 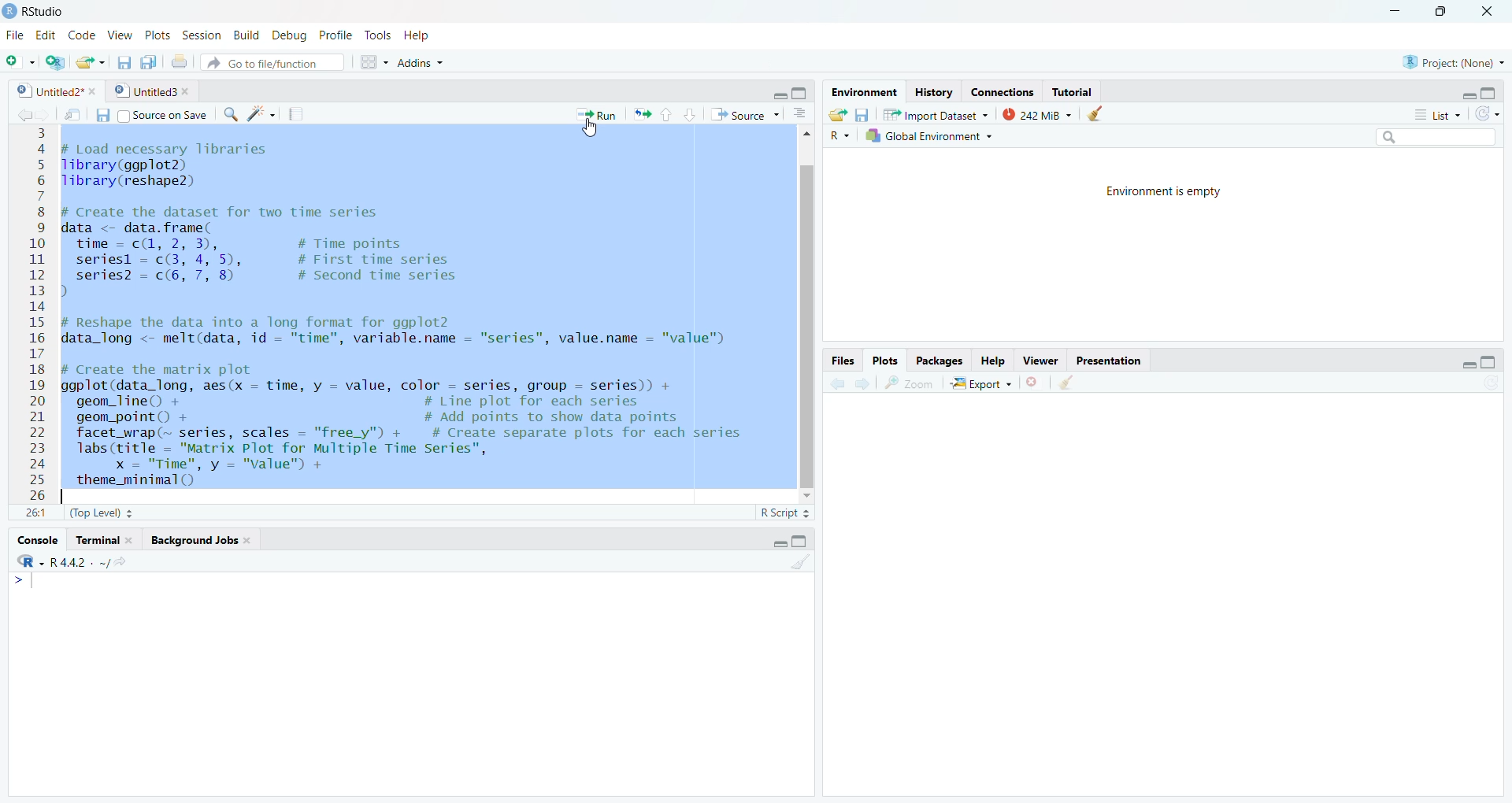 What do you see at coordinates (416, 35) in the screenshot?
I see `Help` at bounding box center [416, 35].